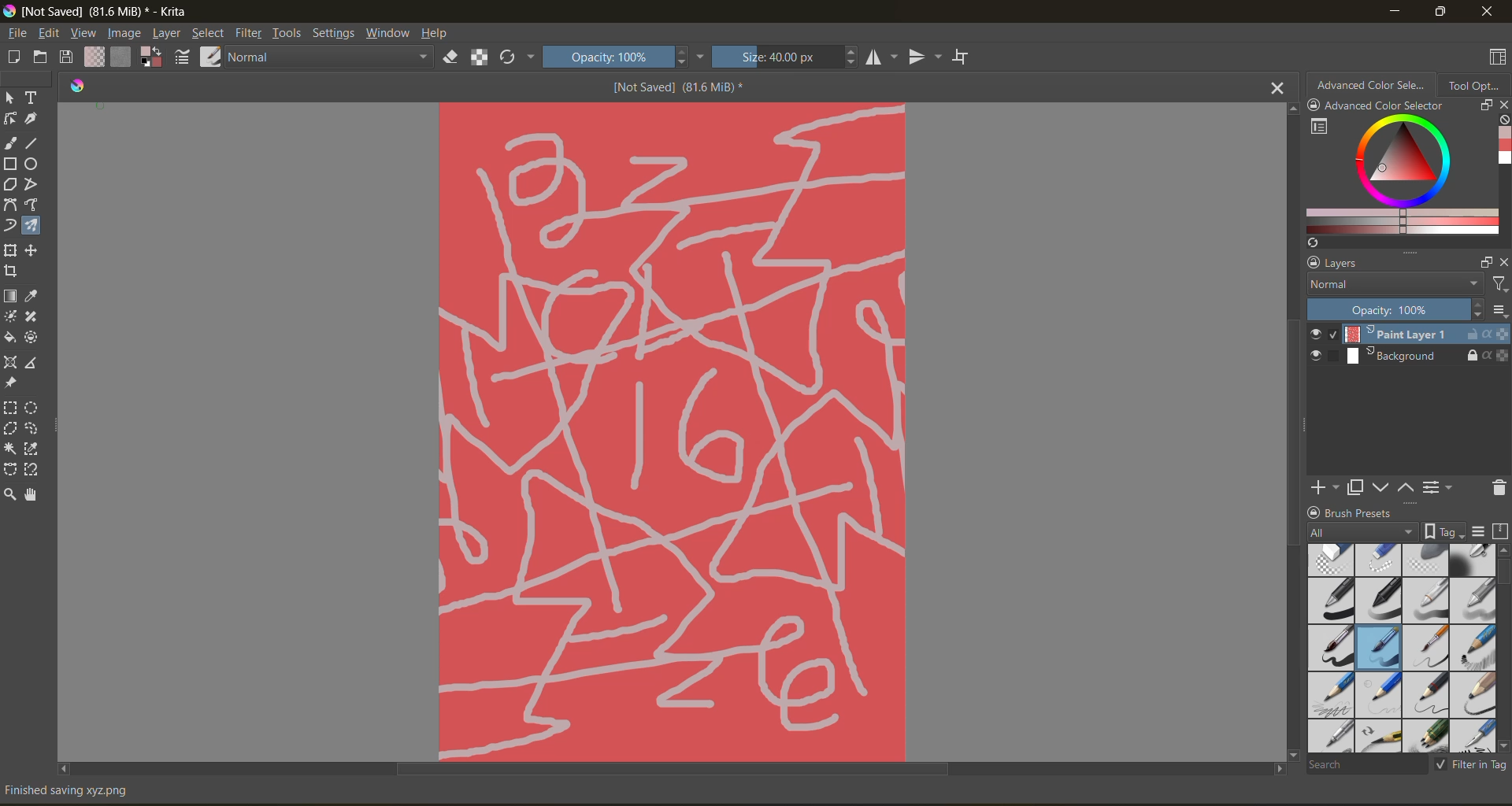  What do you see at coordinates (1488, 11) in the screenshot?
I see `close` at bounding box center [1488, 11].